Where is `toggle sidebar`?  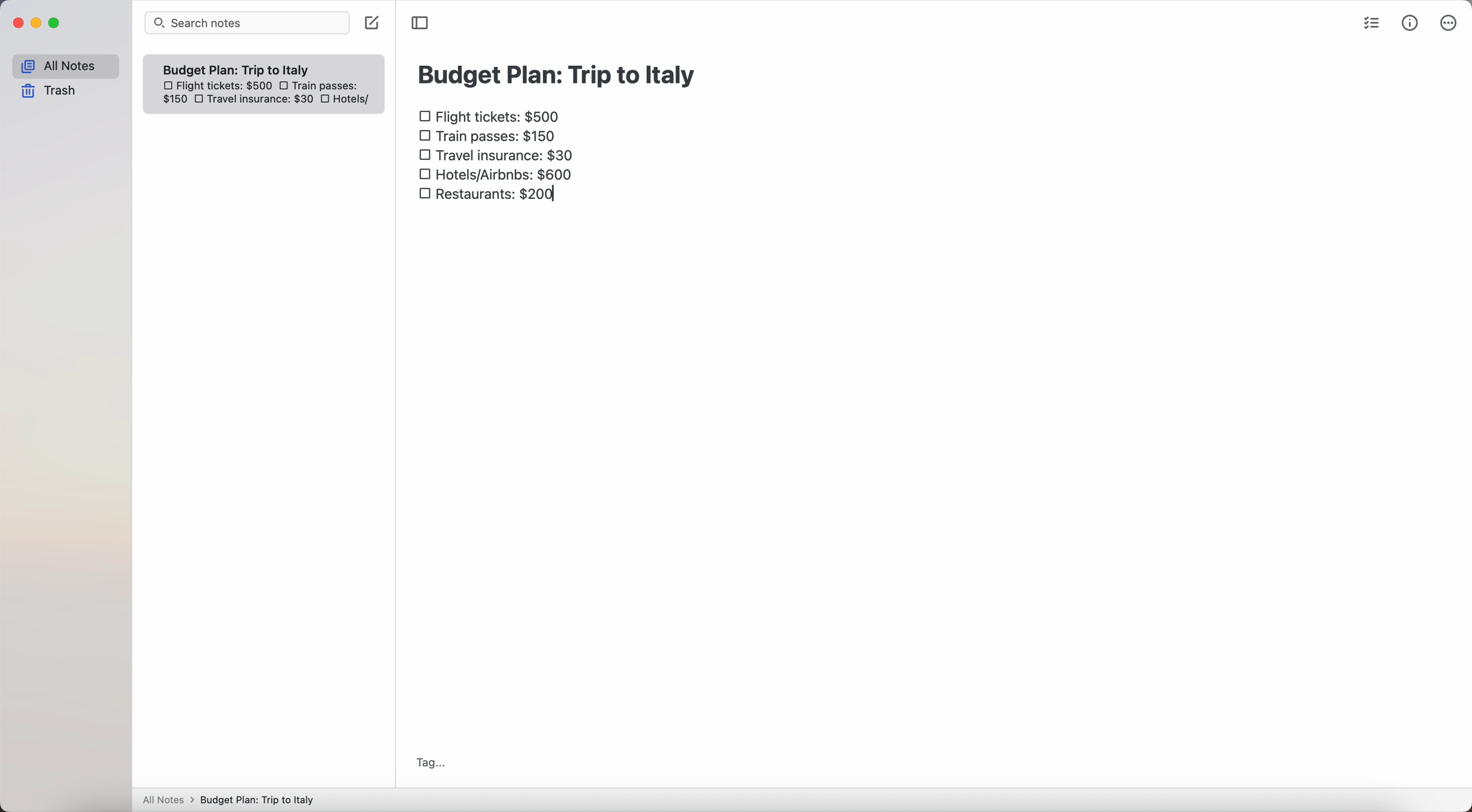 toggle sidebar is located at coordinates (421, 22).